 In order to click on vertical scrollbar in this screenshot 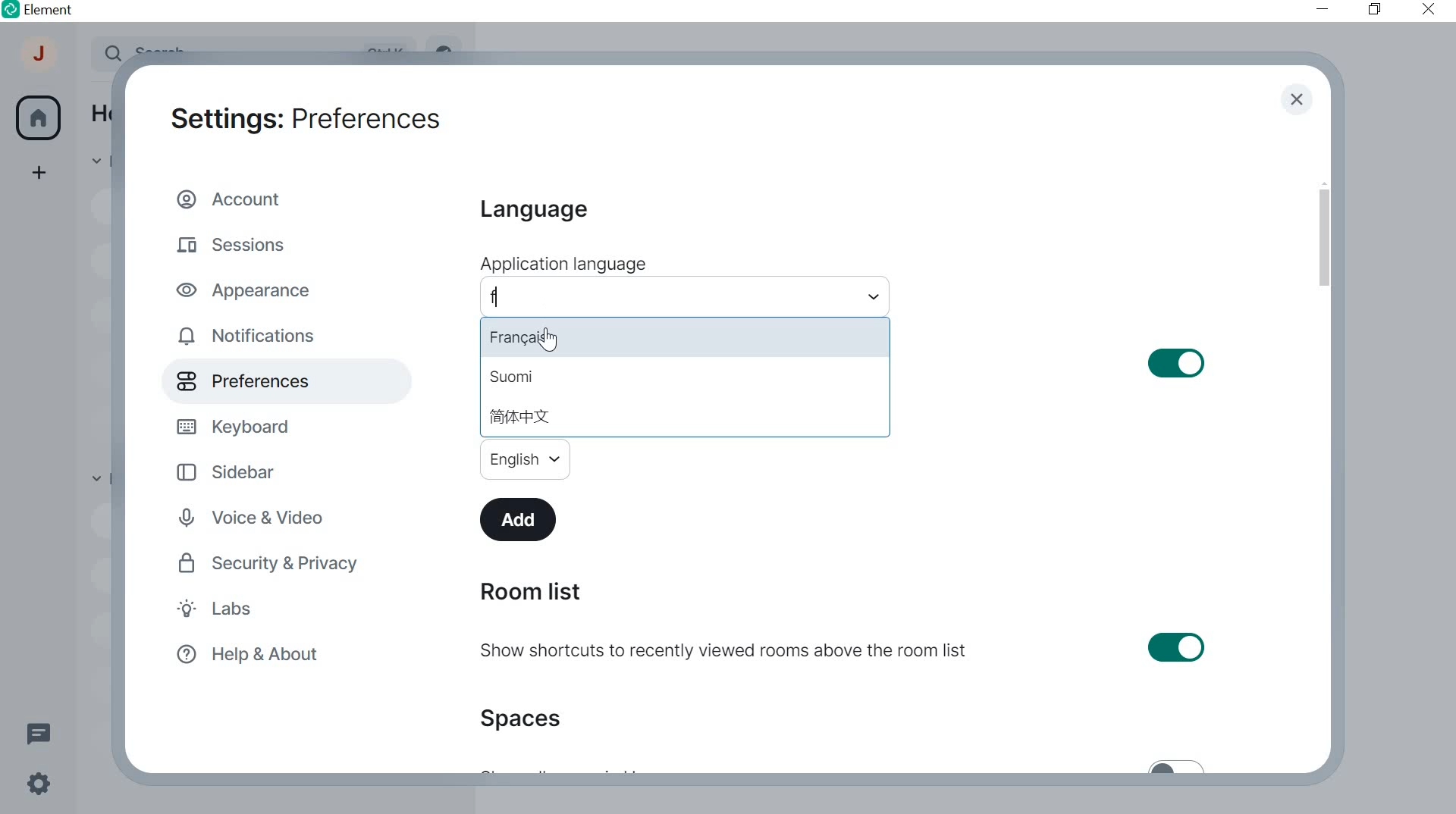, I will do `click(1323, 238)`.